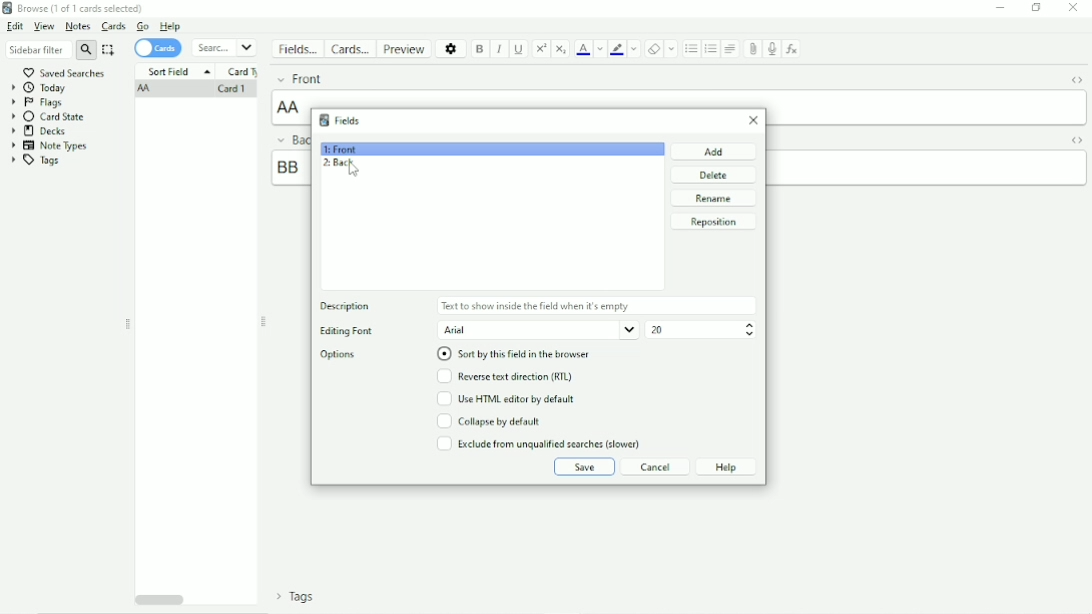  What do you see at coordinates (770, 49) in the screenshot?
I see `Record audio` at bounding box center [770, 49].